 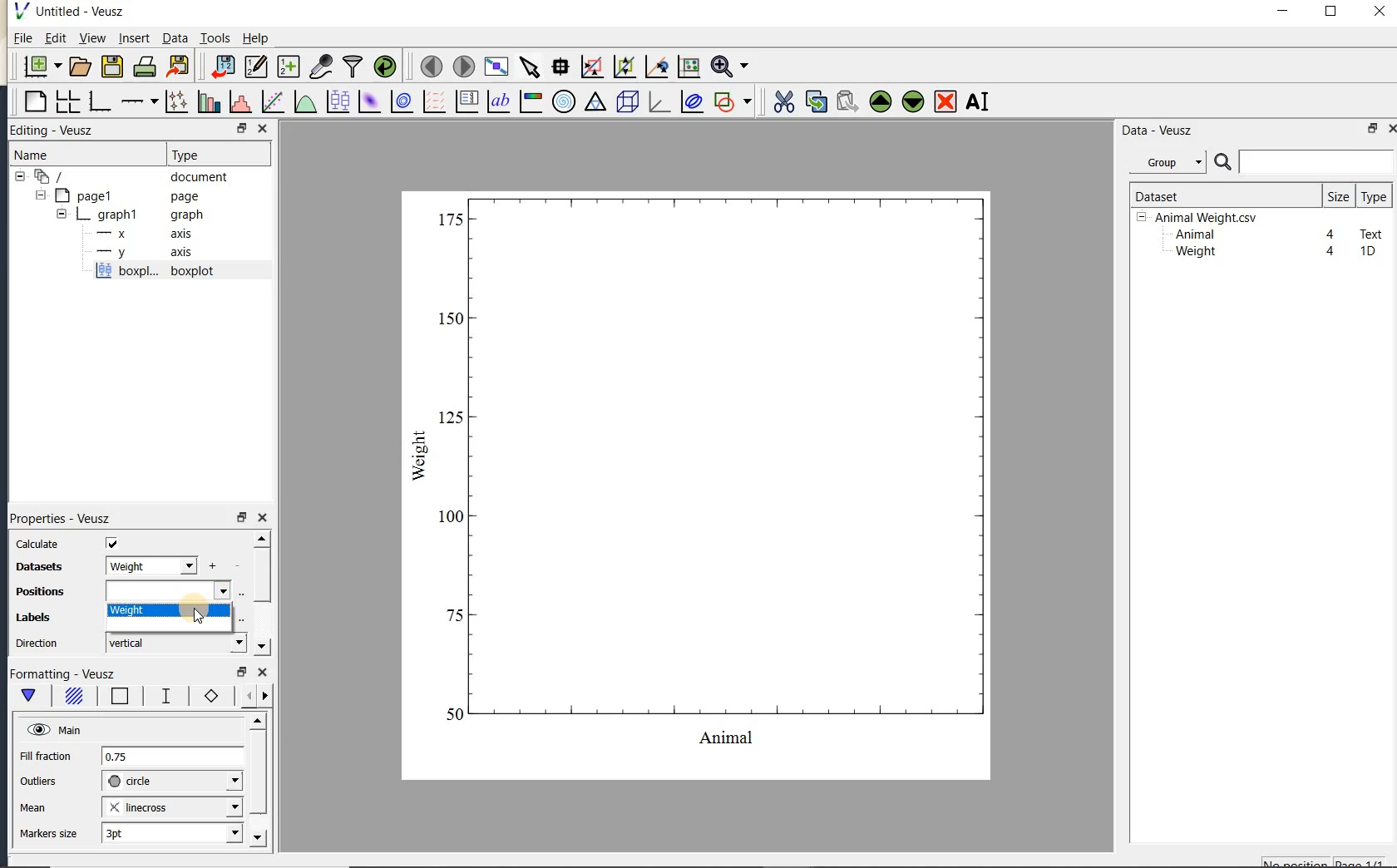 What do you see at coordinates (119, 197) in the screenshot?
I see `page1` at bounding box center [119, 197].